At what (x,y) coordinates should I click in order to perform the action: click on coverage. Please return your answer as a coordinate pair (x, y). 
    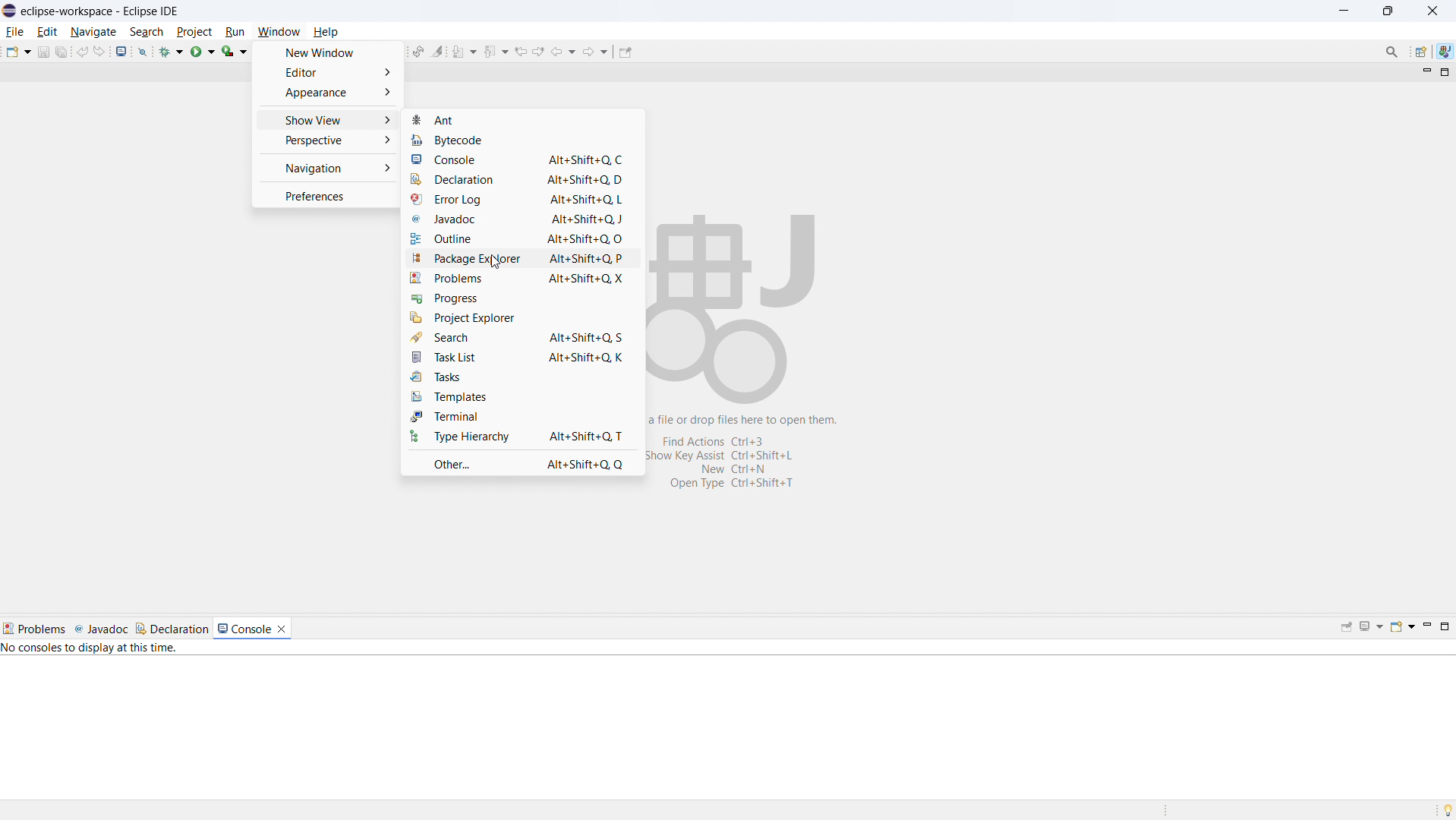
    Looking at the image, I should click on (234, 51).